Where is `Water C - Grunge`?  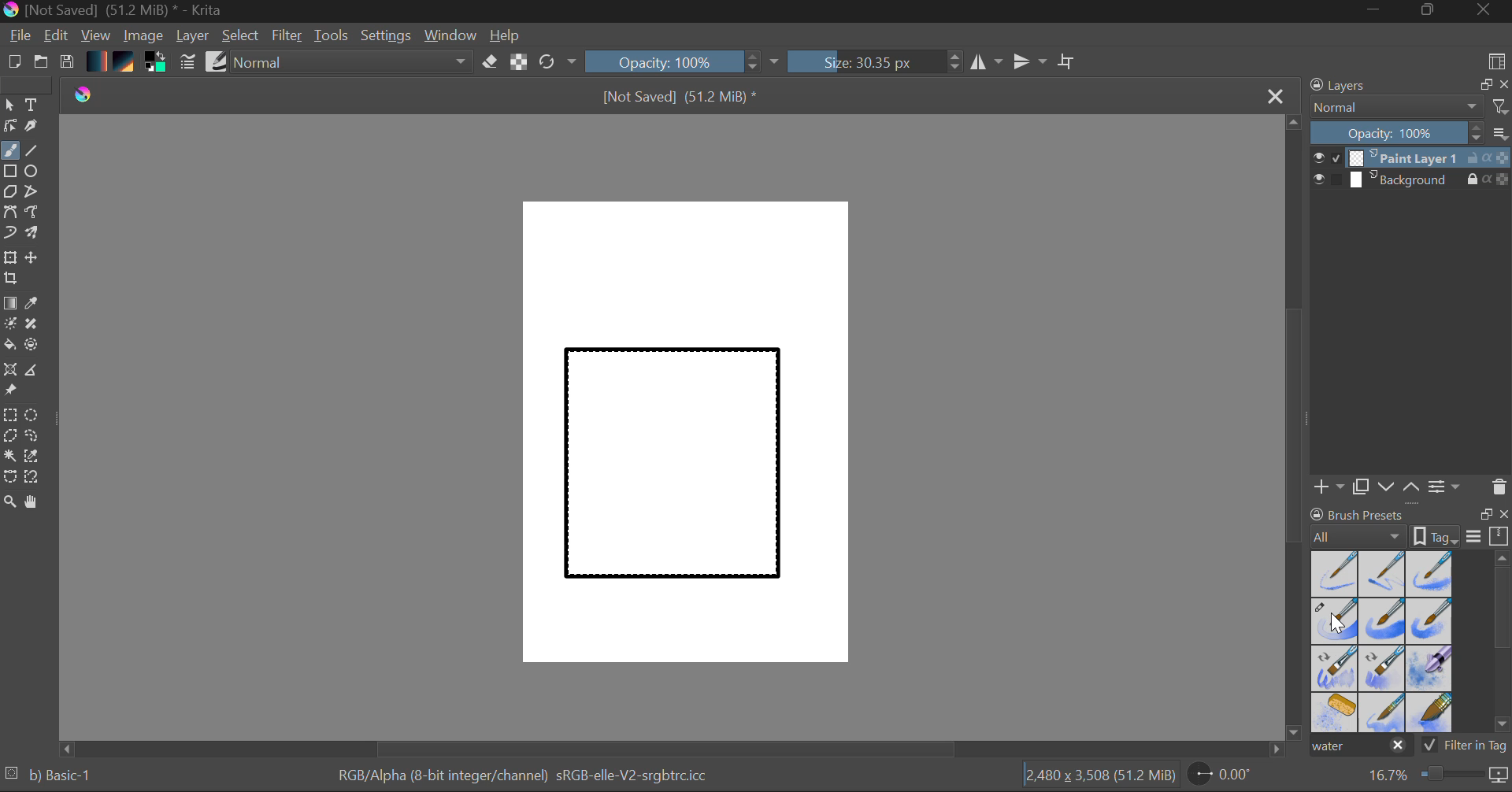
Water C - Grunge is located at coordinates (1430, 621).